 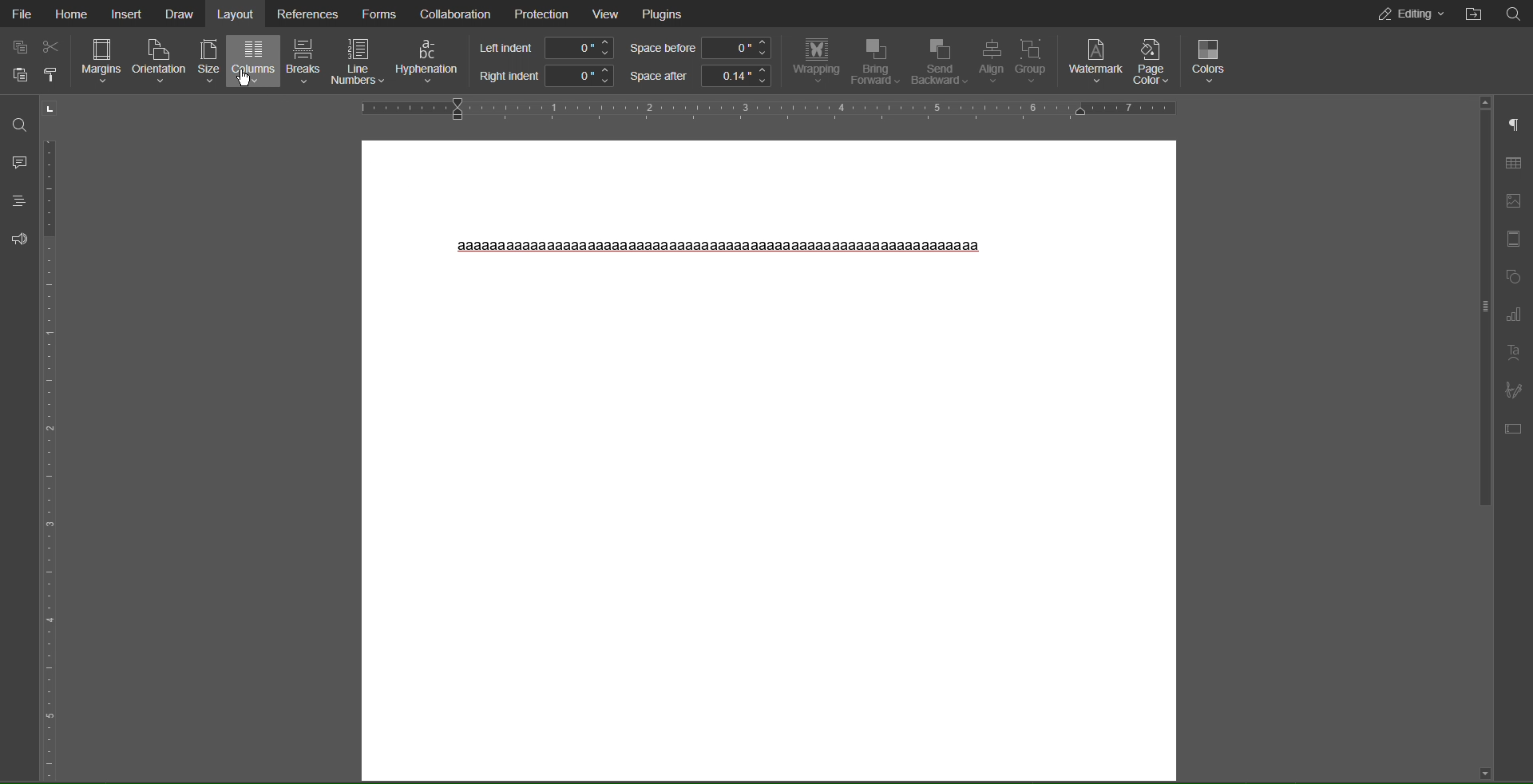 I want to click on Watermark, so click(x=1095, y=59).